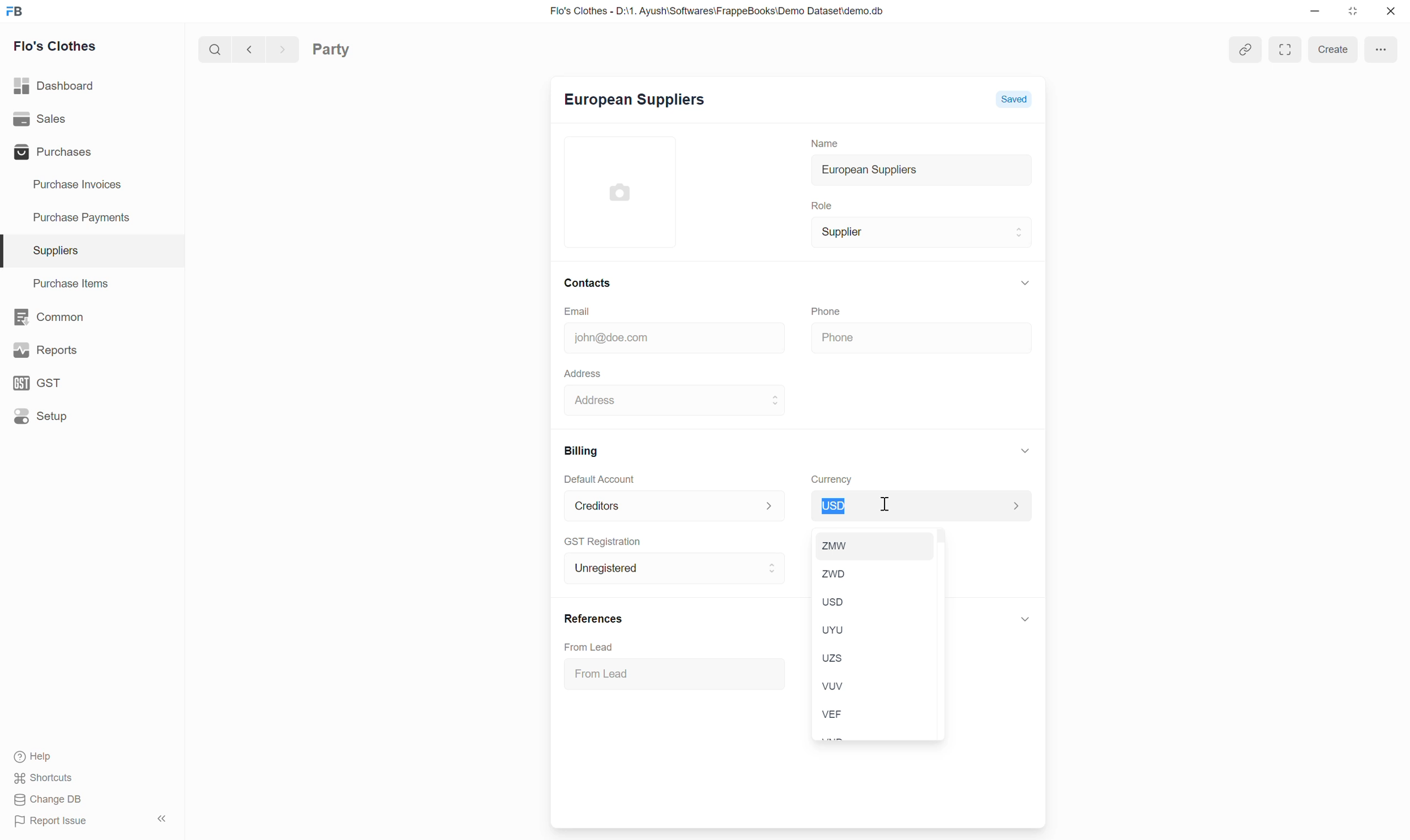 This screenshot has width=1410, height=840. What do you see at coordinates (245, 48) in the screenshot?
I see `go back` at bounding box center [245, 48].